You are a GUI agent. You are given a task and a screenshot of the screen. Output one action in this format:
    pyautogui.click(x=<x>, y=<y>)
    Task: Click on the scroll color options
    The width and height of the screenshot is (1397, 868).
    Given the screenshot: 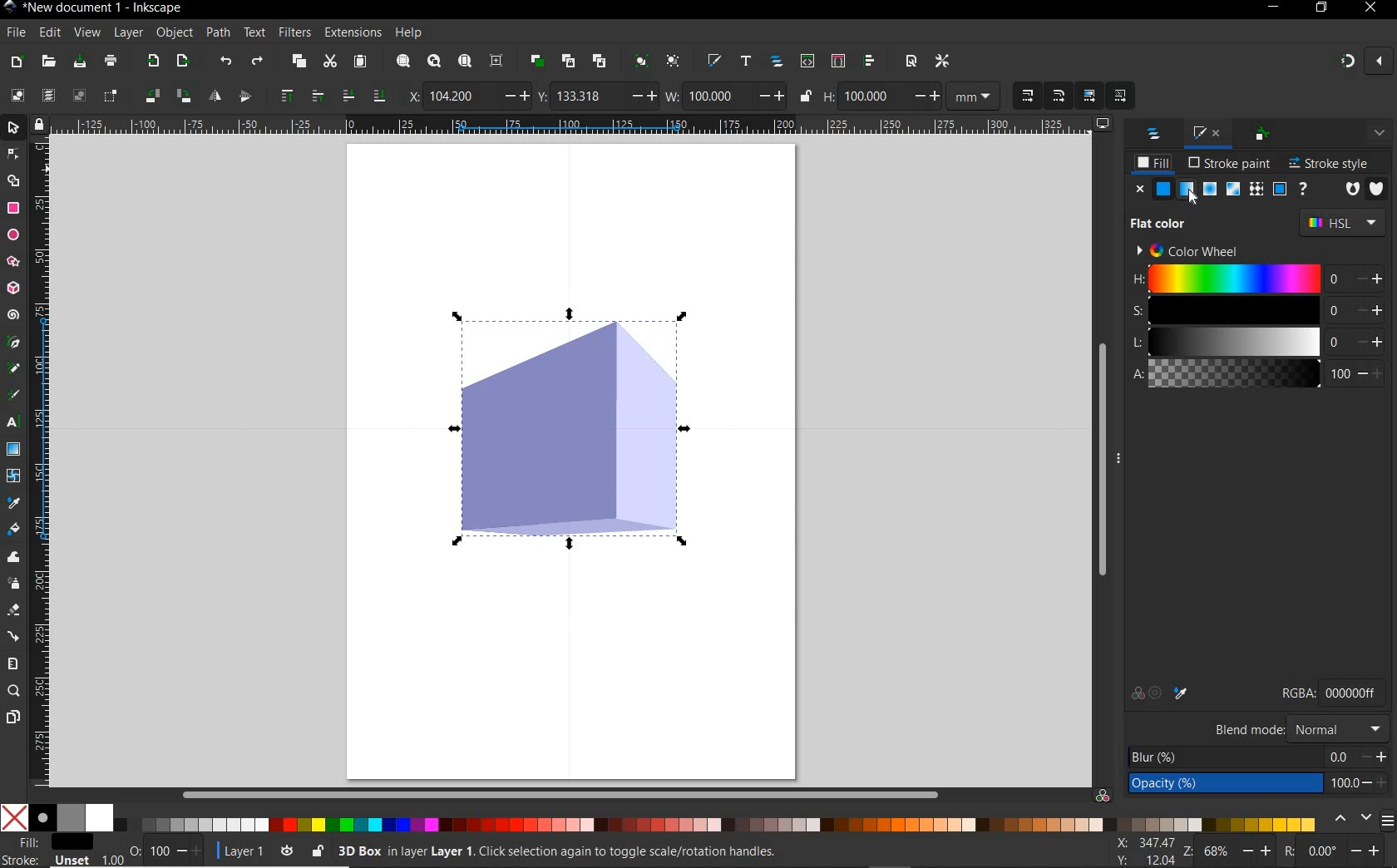 What is the action you would take?
    pyautogui.click(x=1350, y=819)
    